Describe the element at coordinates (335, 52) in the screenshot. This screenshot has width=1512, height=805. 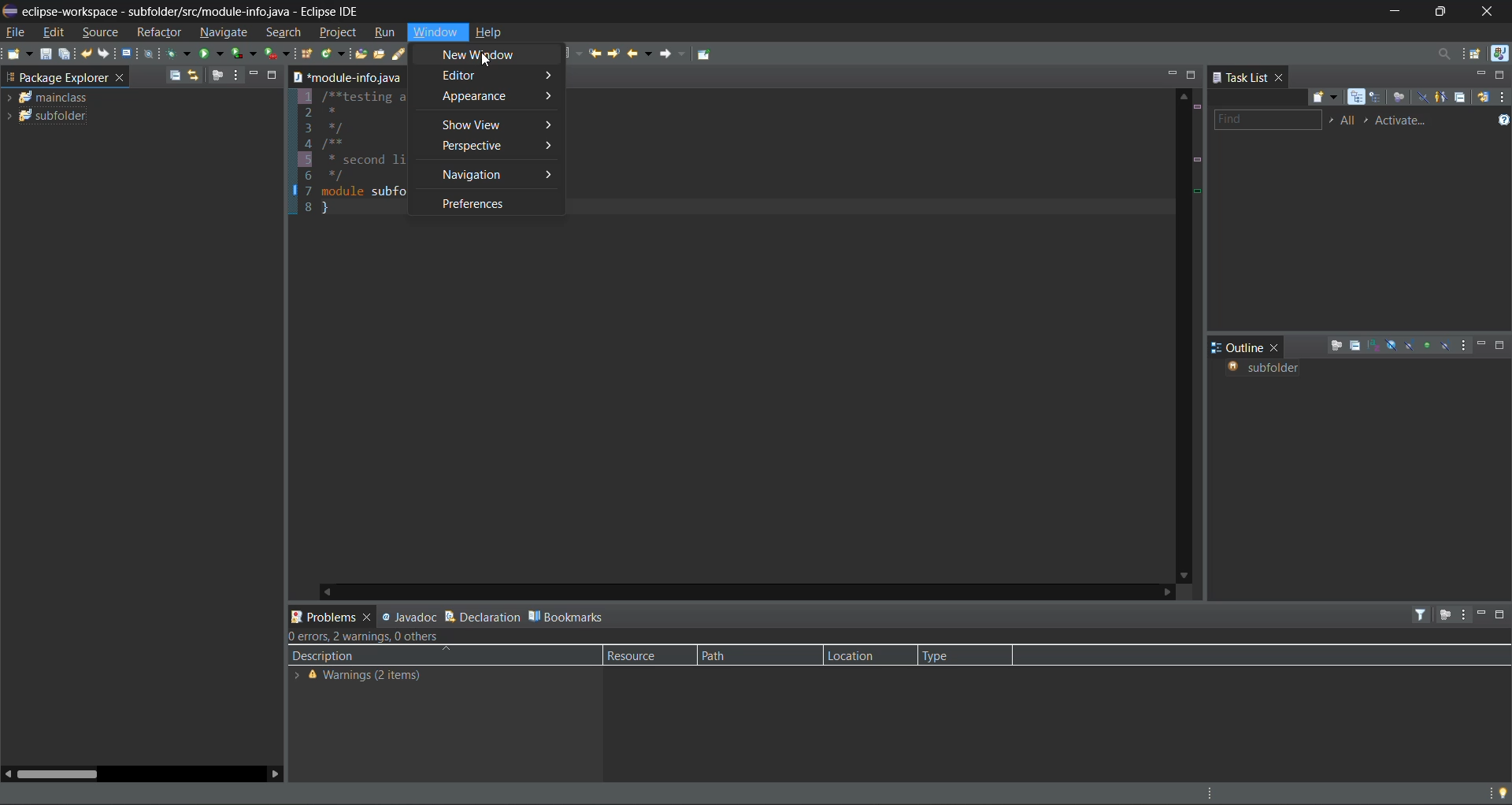
I see `new java class` at that location.